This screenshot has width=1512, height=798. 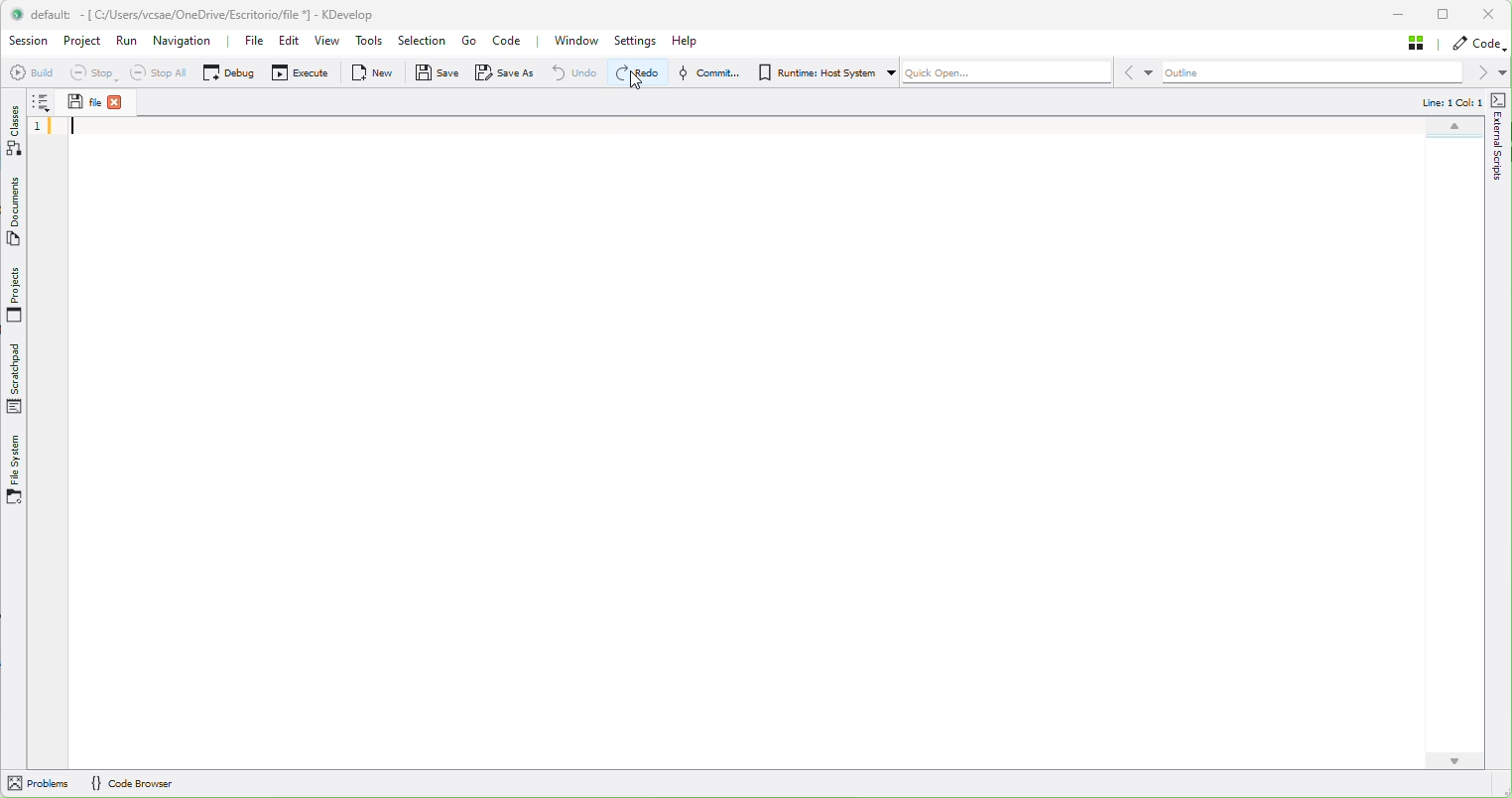 I want to click on Outline, so click(x=1317, y=72).